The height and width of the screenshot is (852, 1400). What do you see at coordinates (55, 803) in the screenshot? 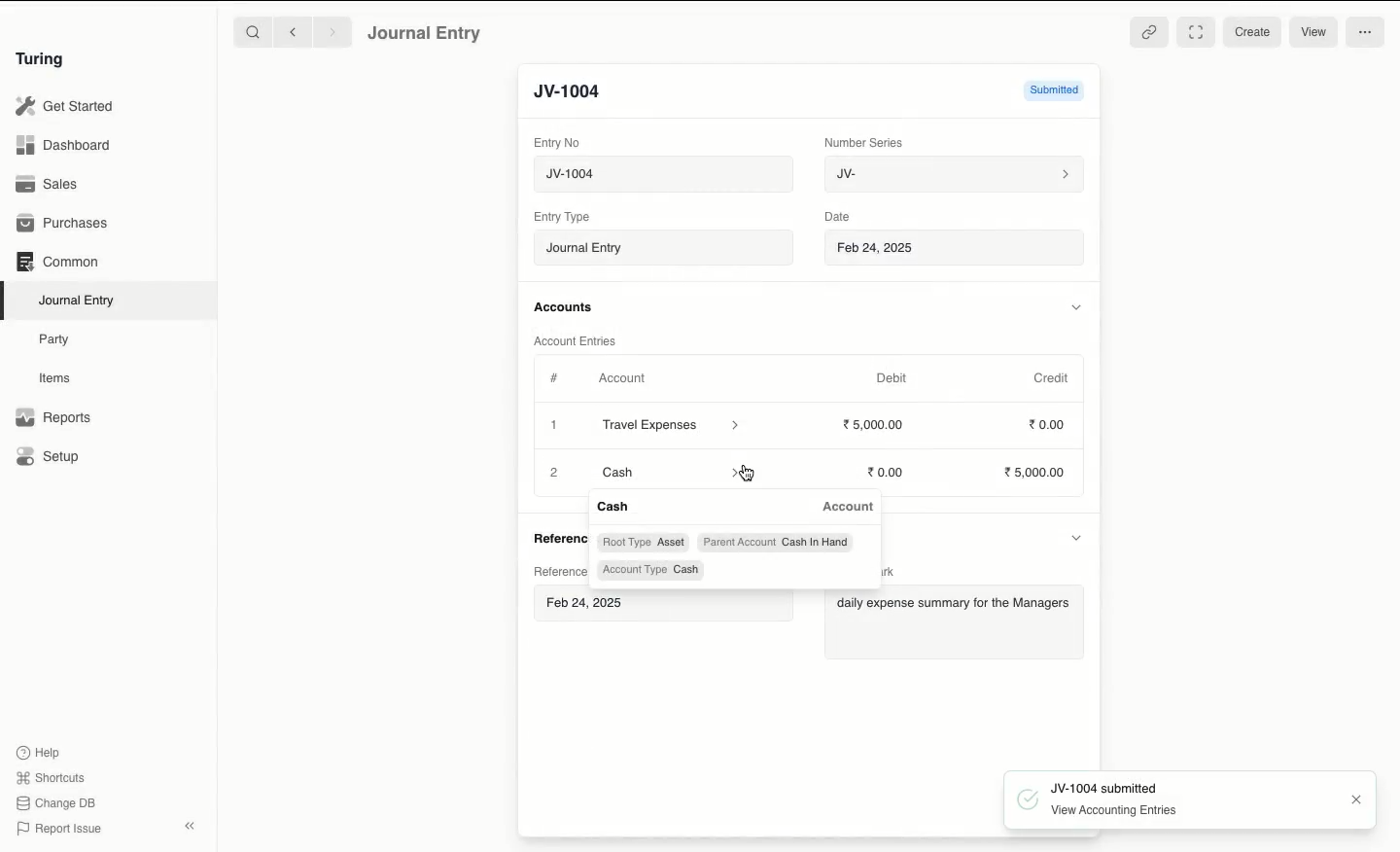
I see `Change DB` at bounding box center [55, 803].